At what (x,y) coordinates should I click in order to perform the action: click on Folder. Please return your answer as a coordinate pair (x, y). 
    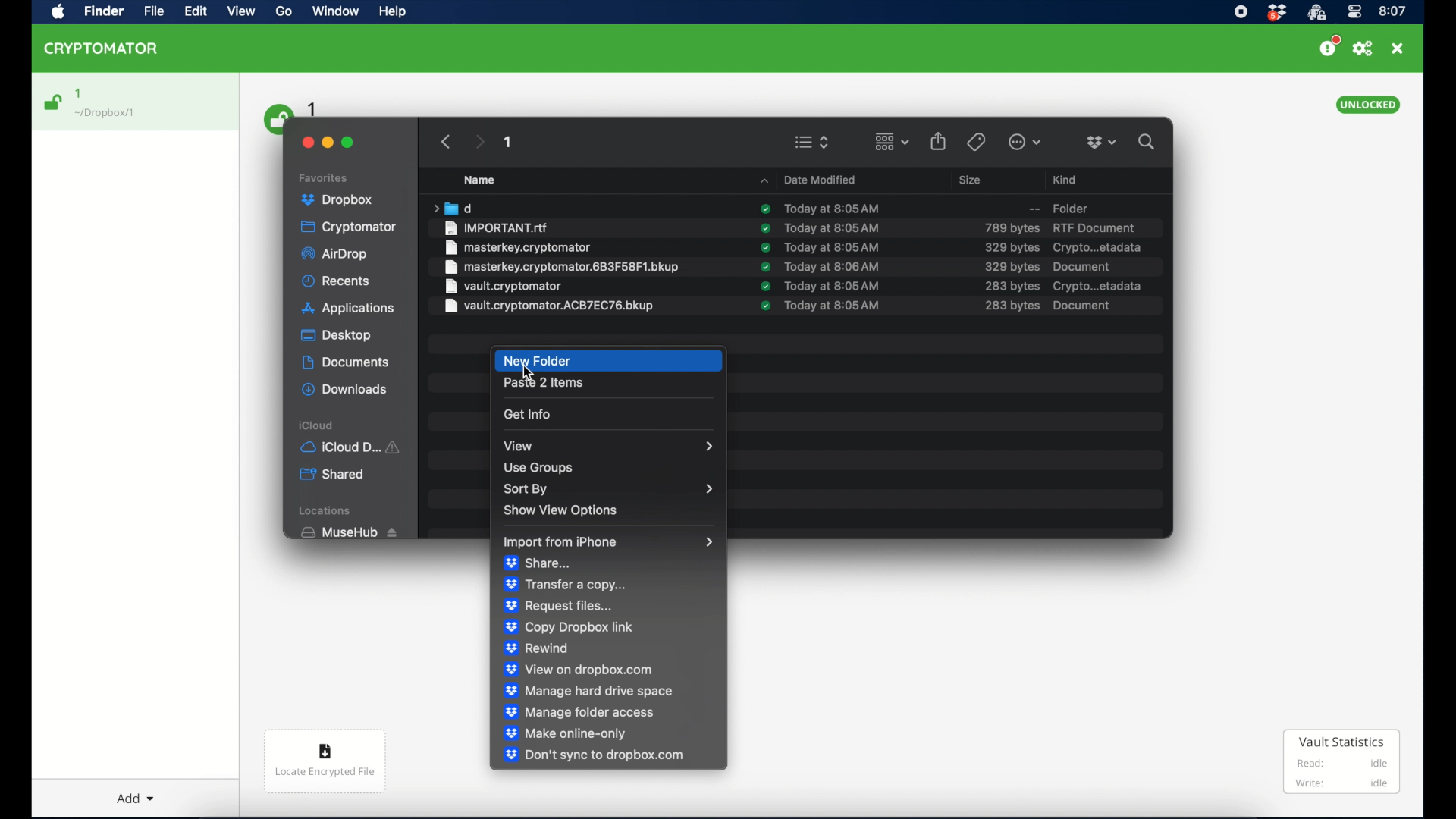
    Looking at the image, I should click on (1050, 207).